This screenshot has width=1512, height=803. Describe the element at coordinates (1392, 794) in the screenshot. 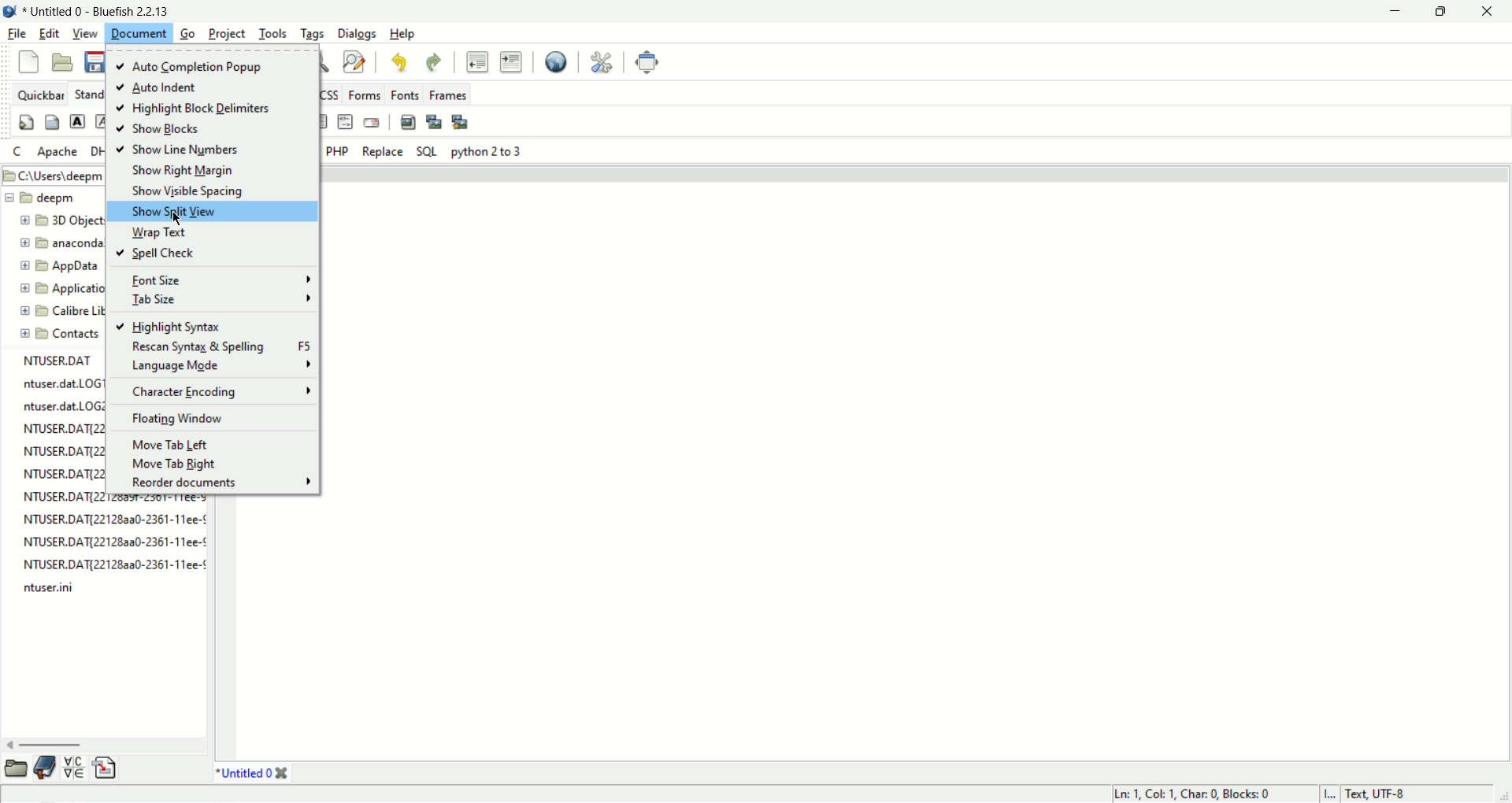

I see `Test, UTF-8` at that location.